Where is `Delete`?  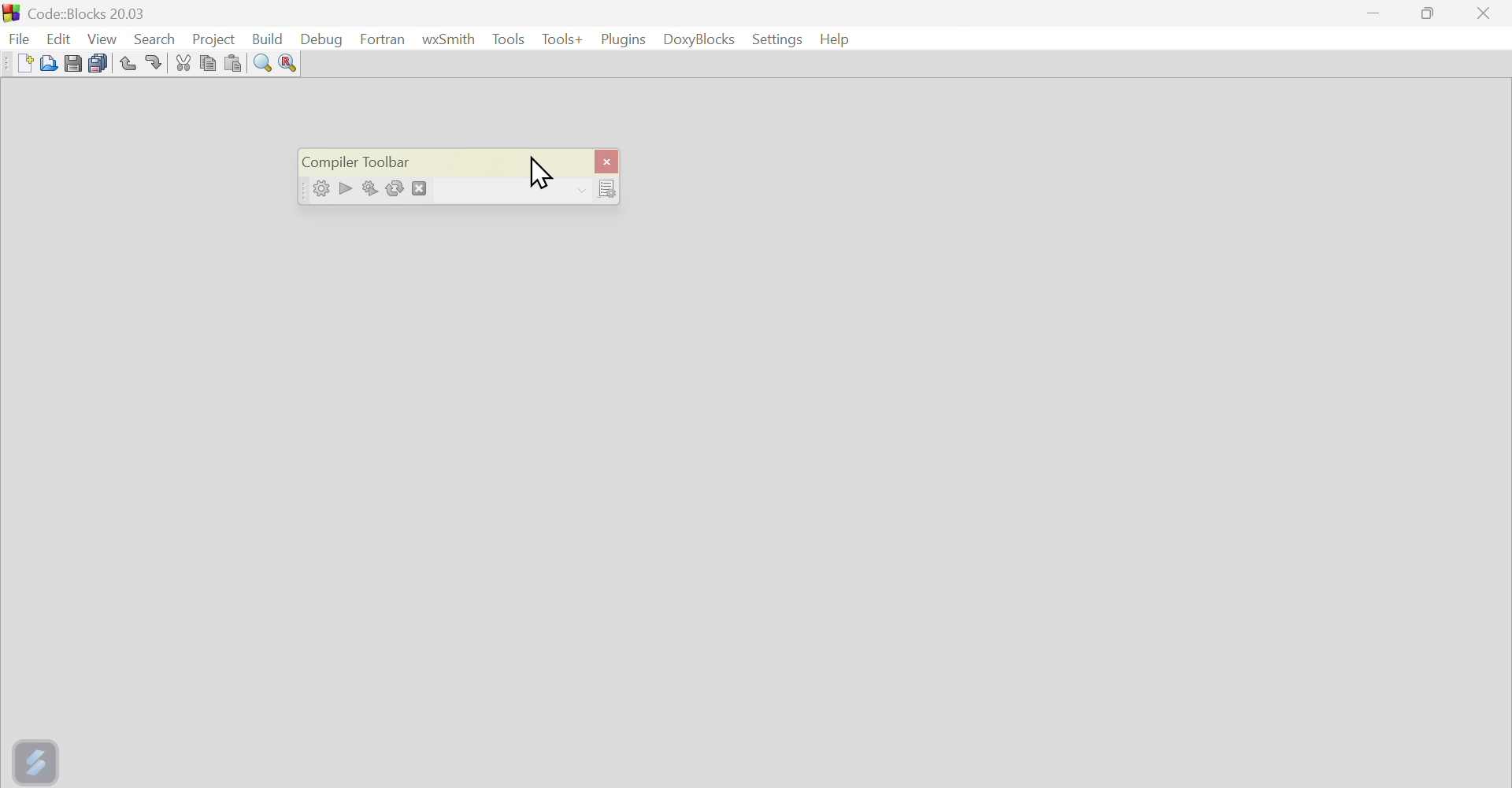 Delete is located at coordinates (424, 185).